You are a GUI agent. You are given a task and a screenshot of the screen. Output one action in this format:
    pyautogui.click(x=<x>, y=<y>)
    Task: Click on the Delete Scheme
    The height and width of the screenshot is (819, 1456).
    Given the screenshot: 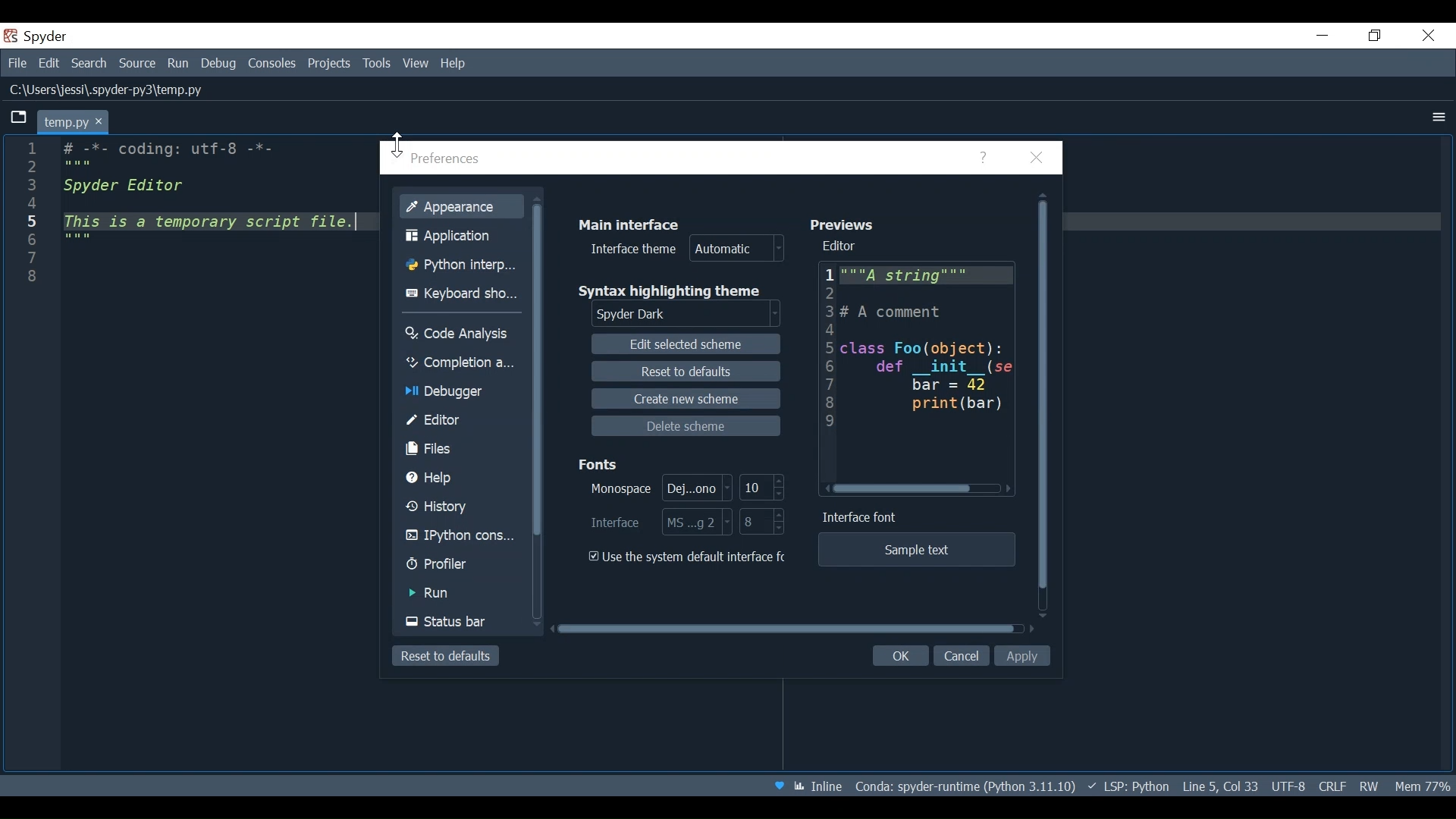 What is the action you would take?
    pyautogui.click(x=686, y=425)
    